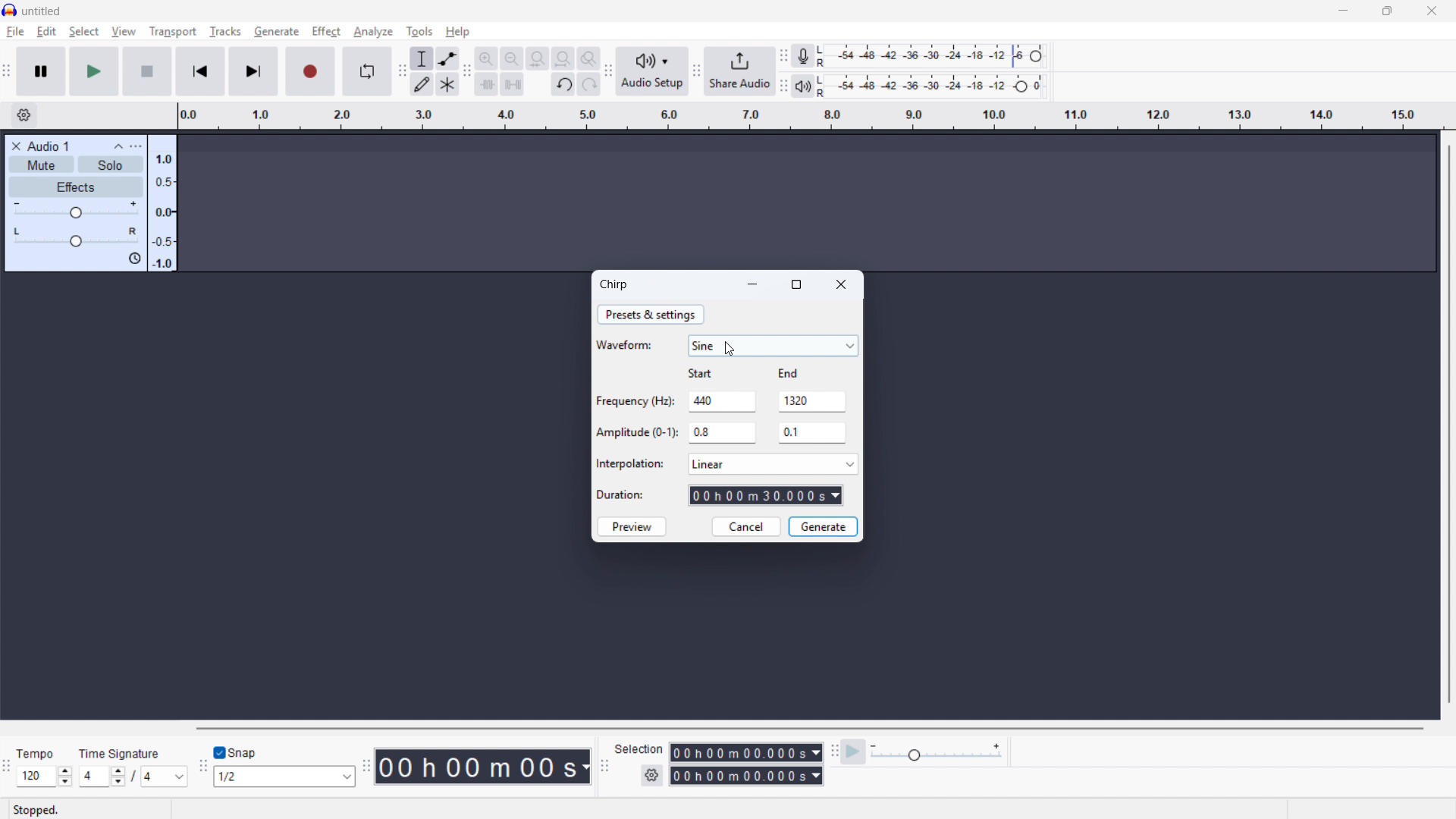 The image size is (1456, 819). I want to click on Zoom out , so click(512, 58).